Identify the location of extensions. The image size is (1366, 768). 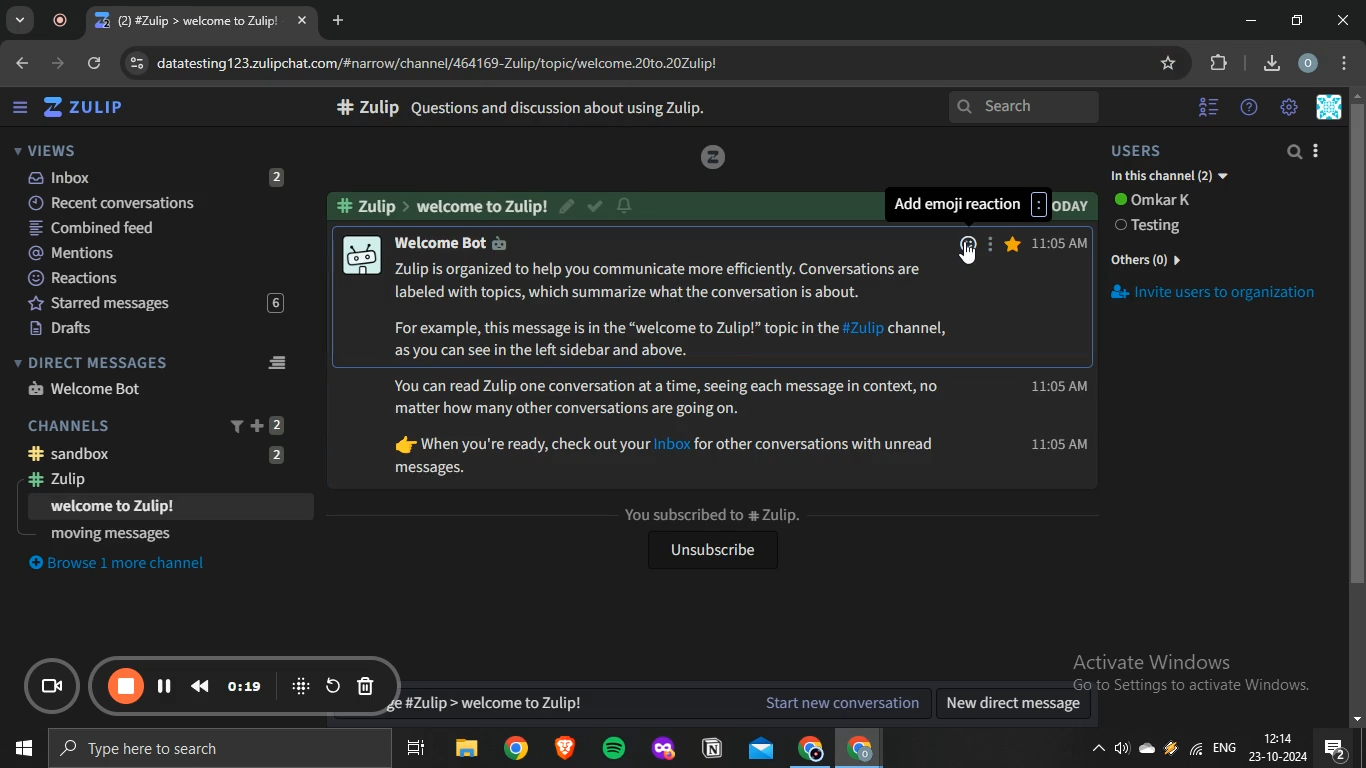
(1220, 63).